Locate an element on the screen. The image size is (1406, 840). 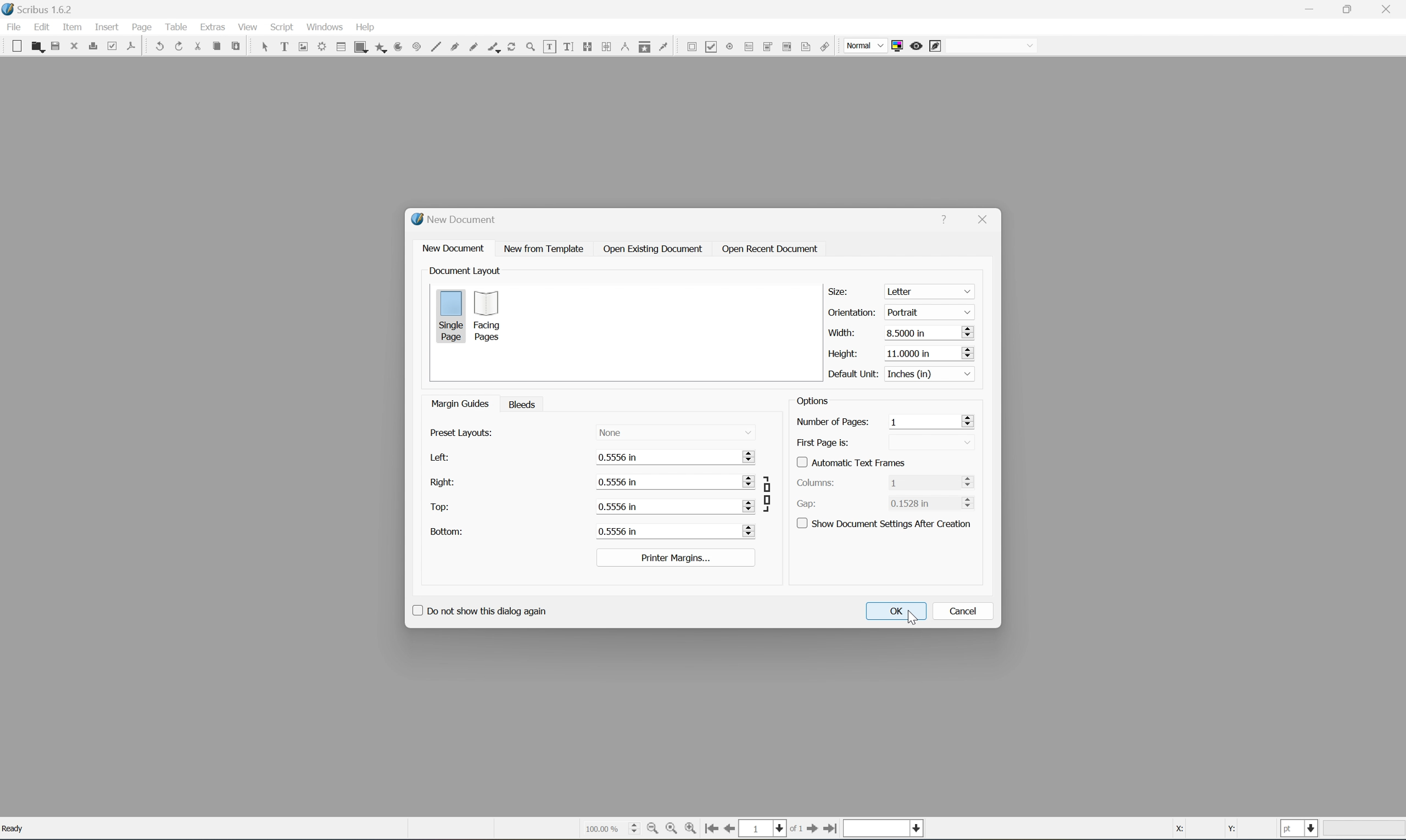
copy is located at coordinates (218, 46).